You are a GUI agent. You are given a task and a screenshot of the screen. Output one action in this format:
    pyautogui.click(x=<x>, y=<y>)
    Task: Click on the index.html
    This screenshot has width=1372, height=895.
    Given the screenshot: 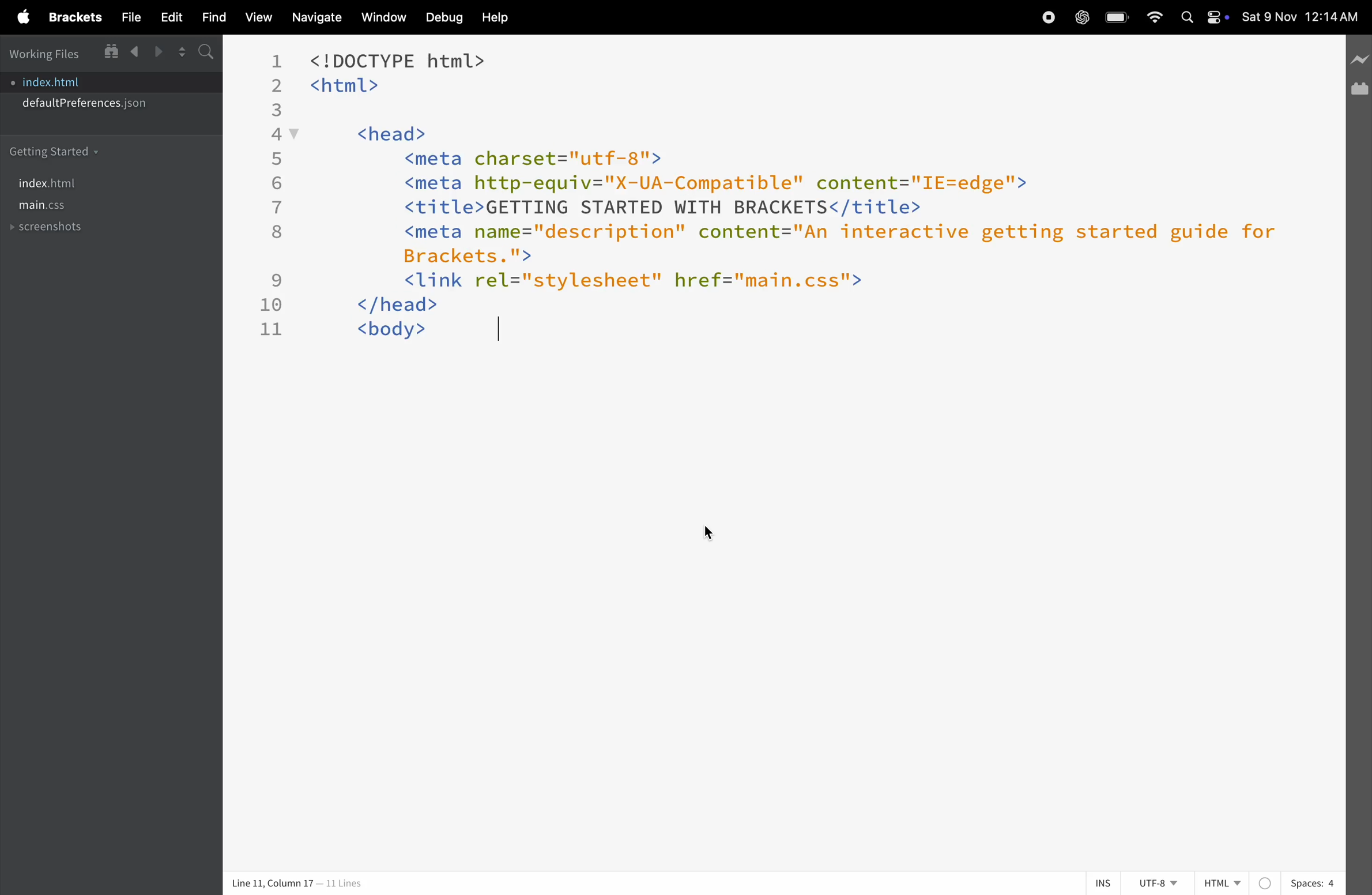 What is the action you would take?
    pyautogui.click(x=89, y=183)
    